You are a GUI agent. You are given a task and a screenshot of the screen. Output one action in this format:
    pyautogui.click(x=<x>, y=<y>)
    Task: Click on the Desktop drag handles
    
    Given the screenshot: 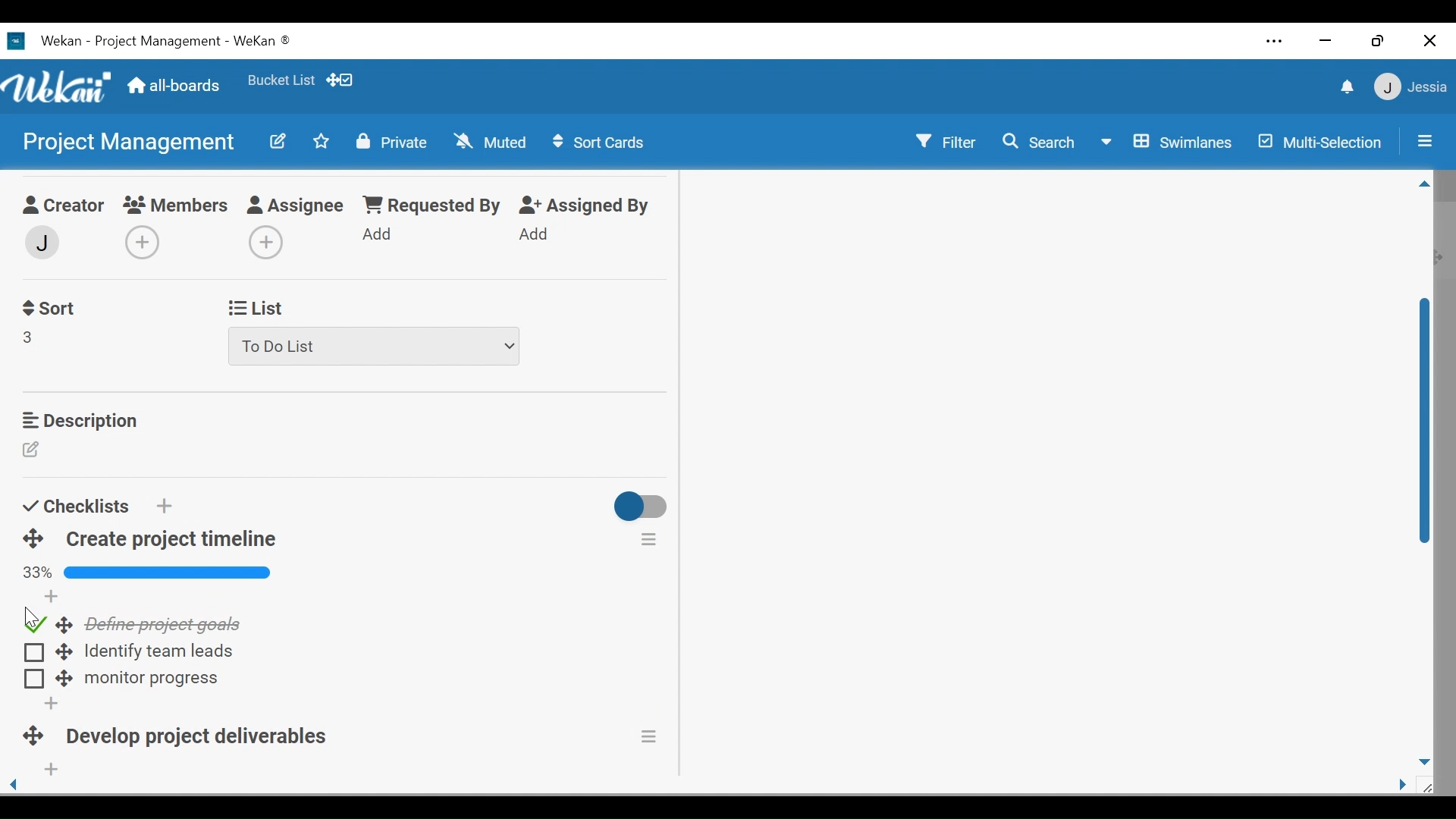 What is the action you would take?
    pyautogui.click(x=33, y=539)
    